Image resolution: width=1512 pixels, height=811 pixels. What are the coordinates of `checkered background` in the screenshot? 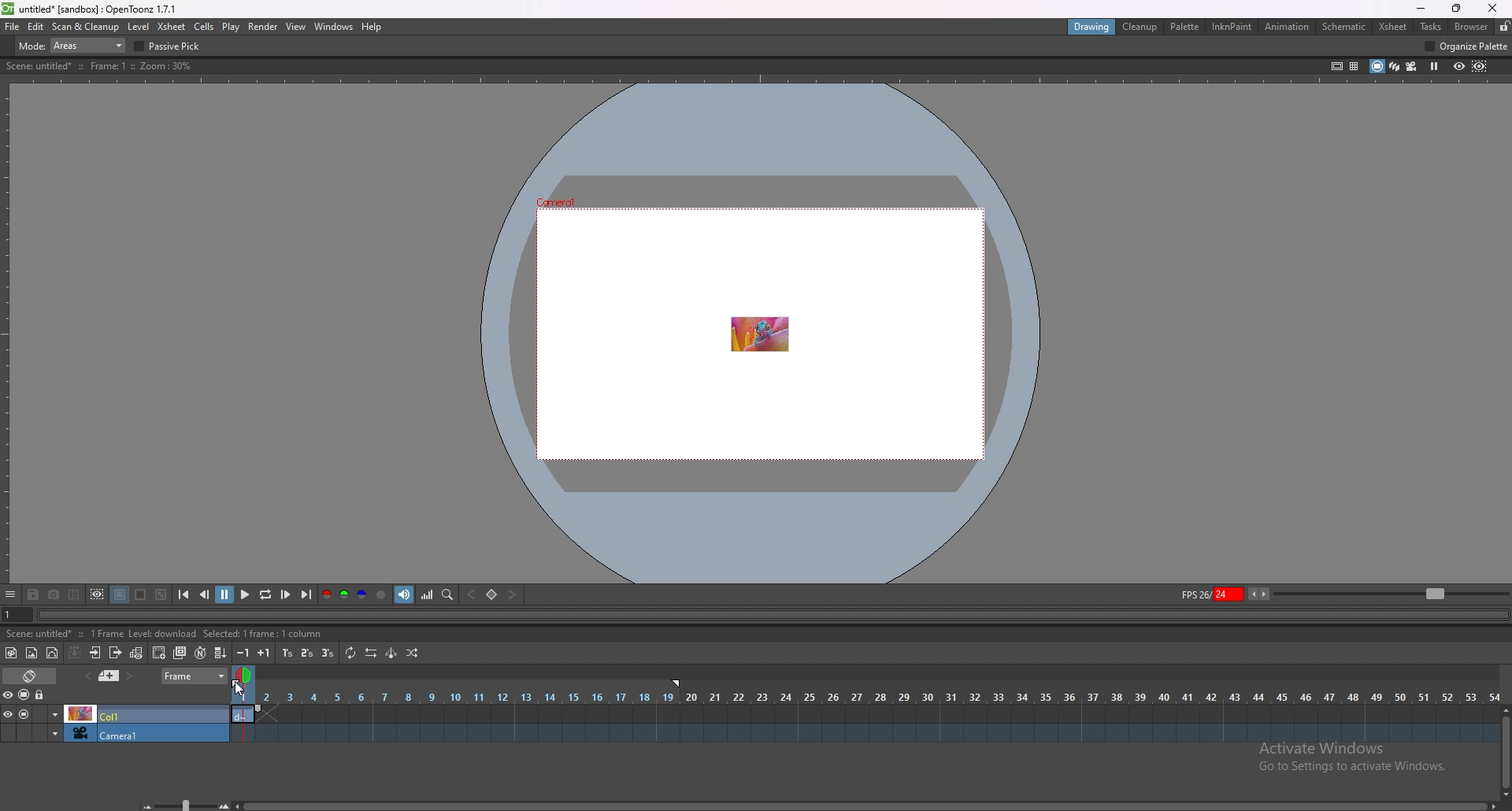 It's located at (162, 594).